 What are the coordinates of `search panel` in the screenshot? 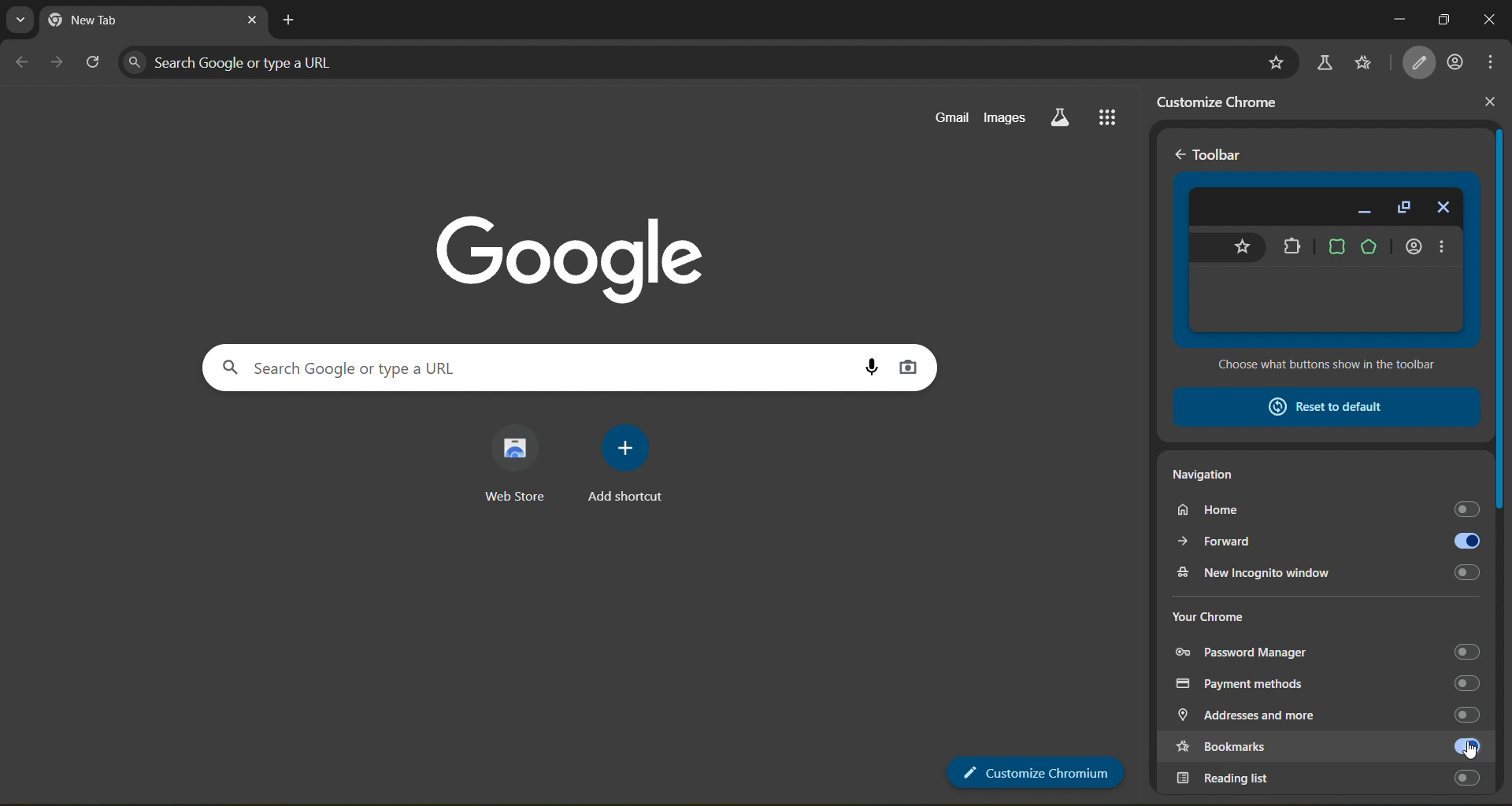 It's located at (324, 61).